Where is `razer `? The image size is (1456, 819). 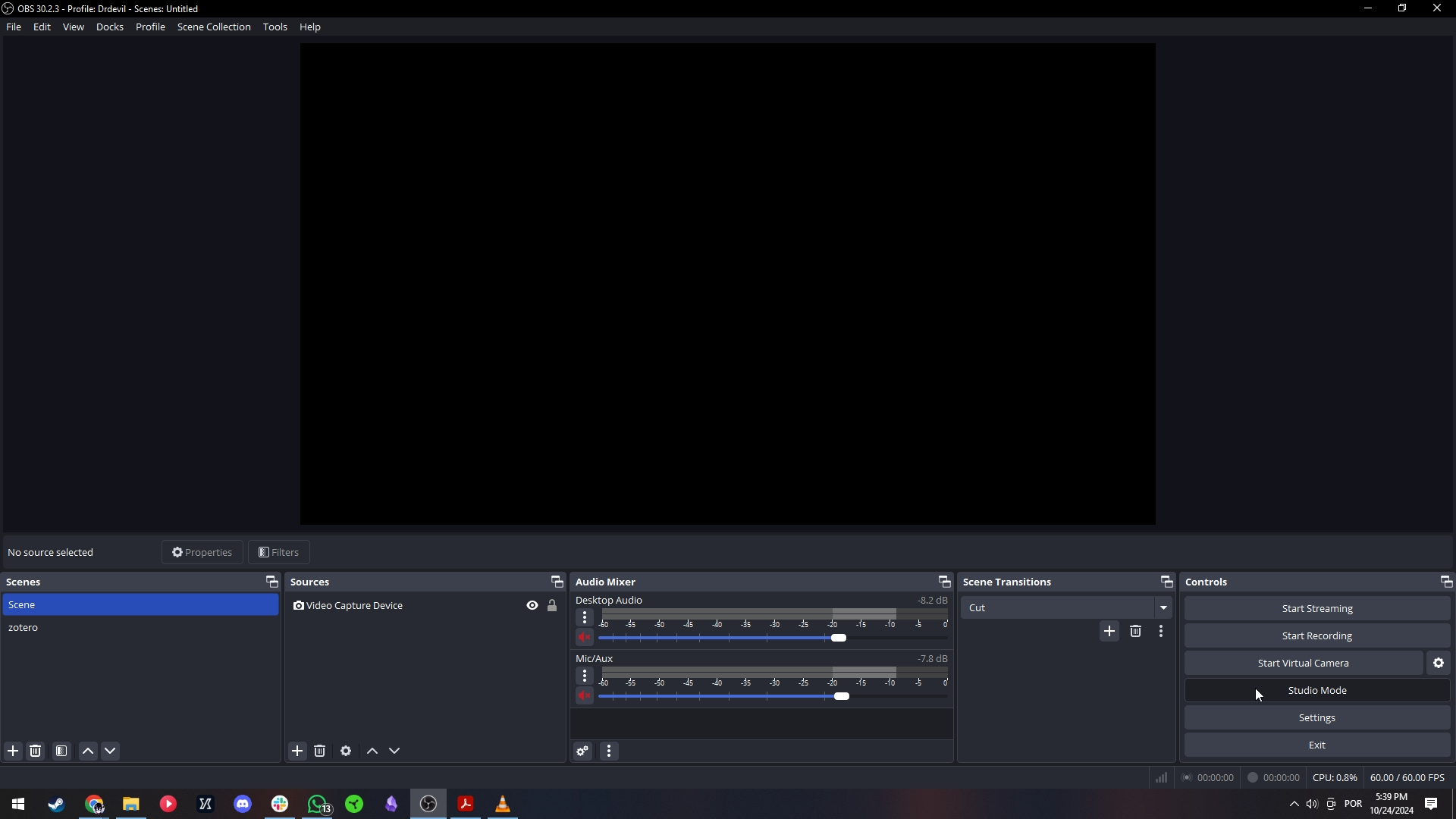
razer  is located at coordinates (355, 802).